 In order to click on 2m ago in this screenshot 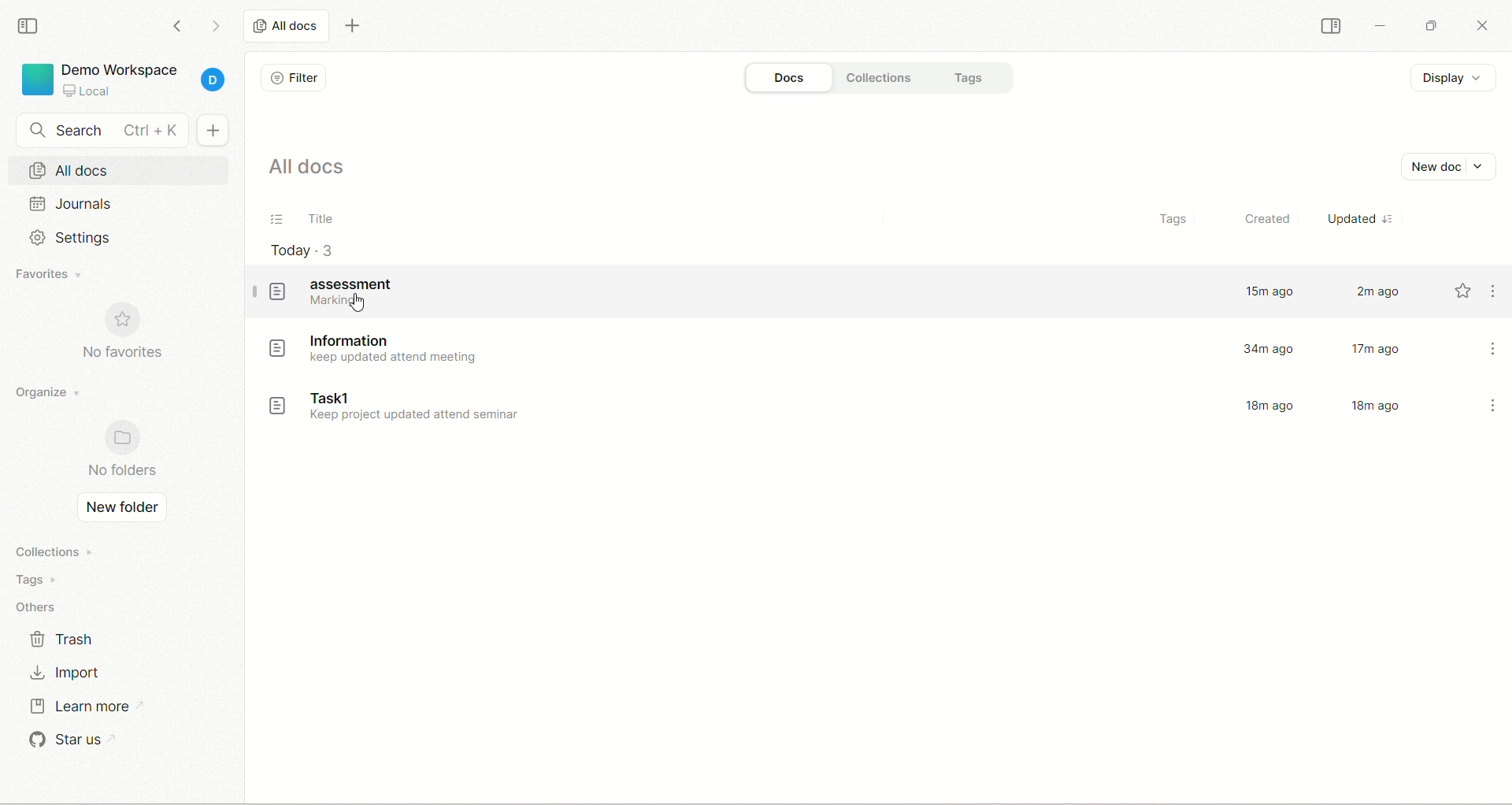, I will do `click(1377, 293)`.